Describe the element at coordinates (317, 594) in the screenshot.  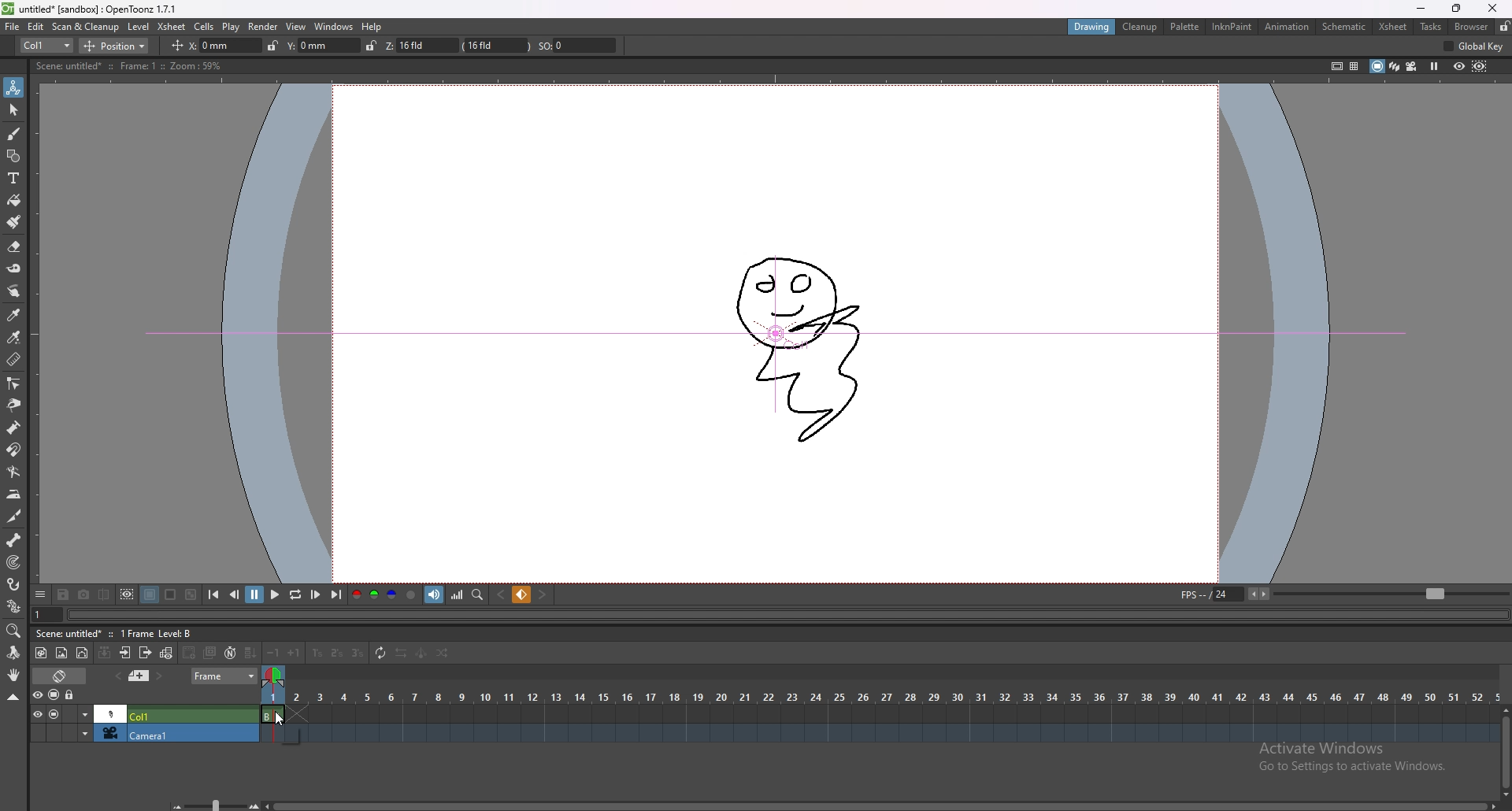
I see `next frame` at that location.